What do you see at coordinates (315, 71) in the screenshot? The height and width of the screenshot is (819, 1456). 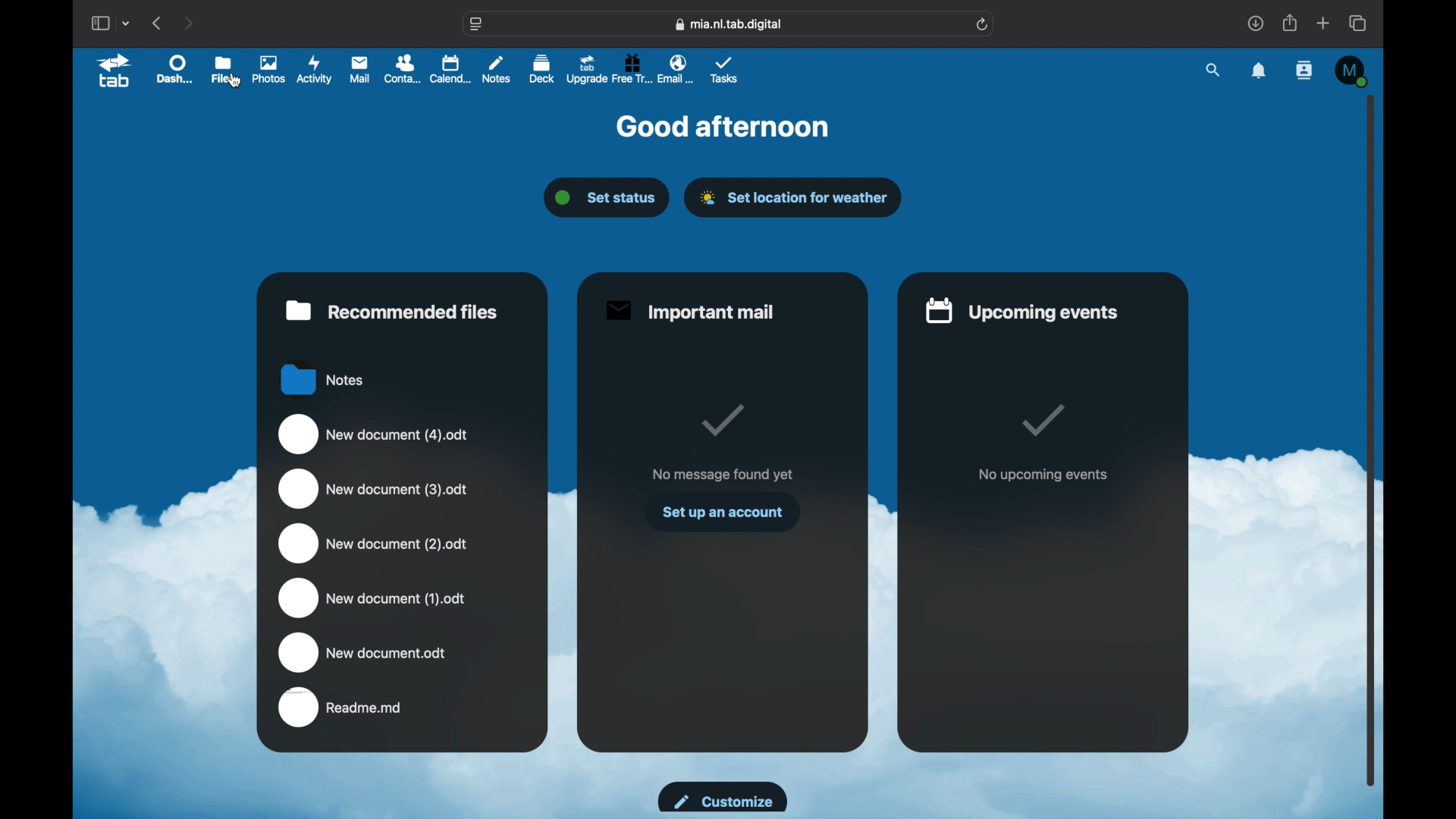 I see `activity` at bounding box center [315, 71].